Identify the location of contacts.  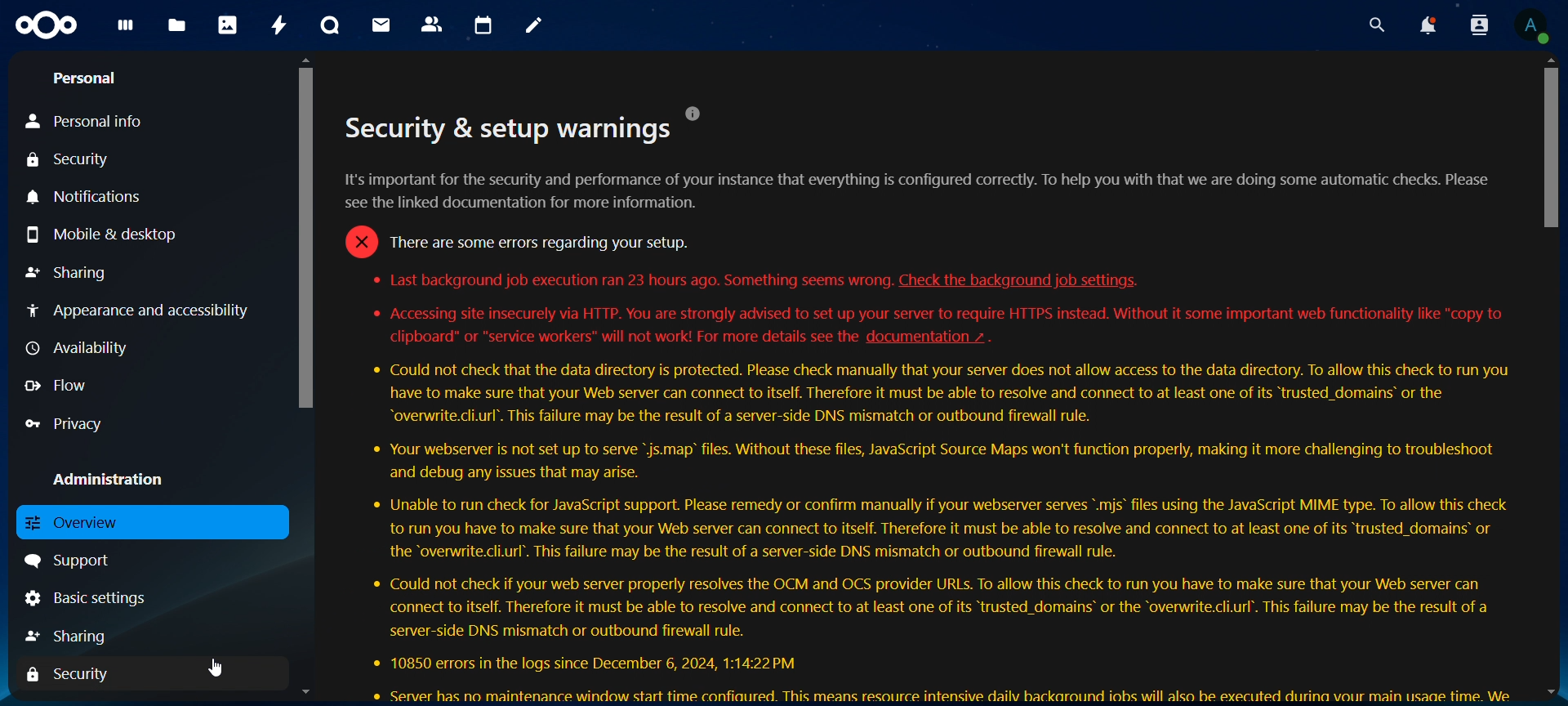
(433, 22).